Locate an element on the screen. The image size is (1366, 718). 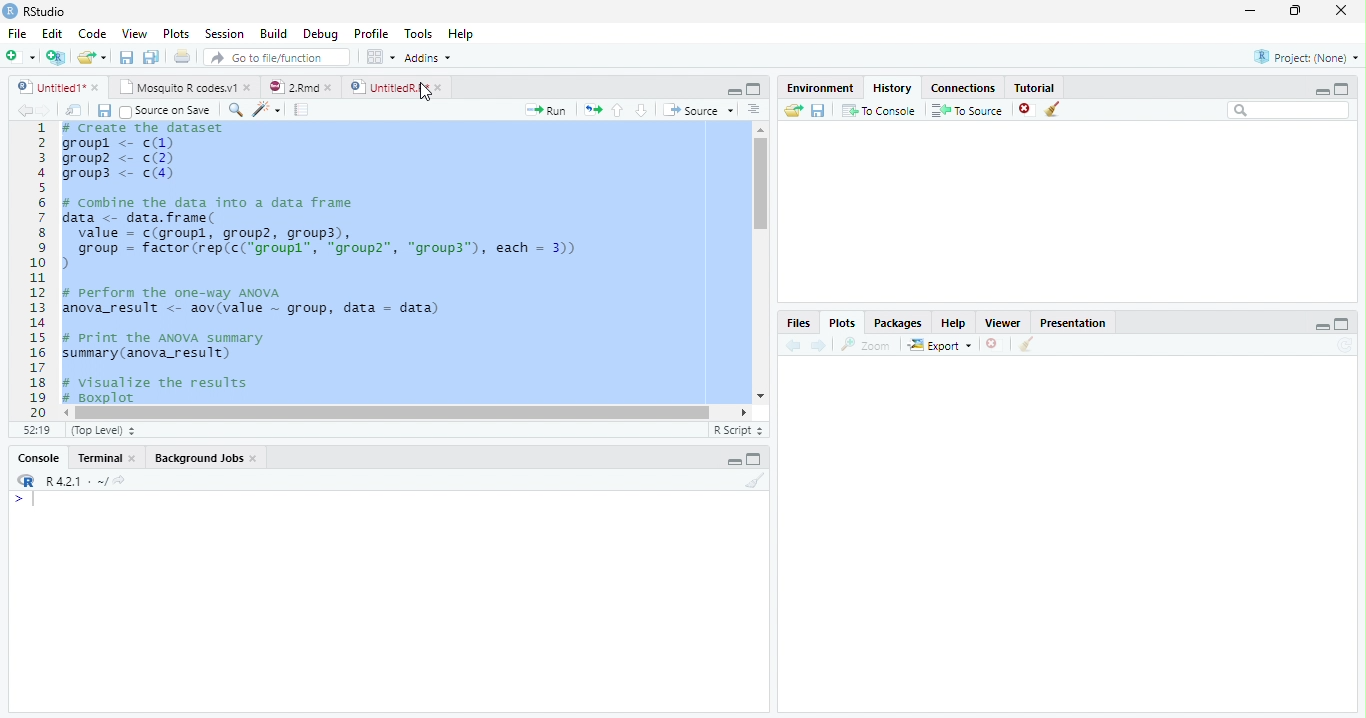
Source is located at coordinates (700, 111).